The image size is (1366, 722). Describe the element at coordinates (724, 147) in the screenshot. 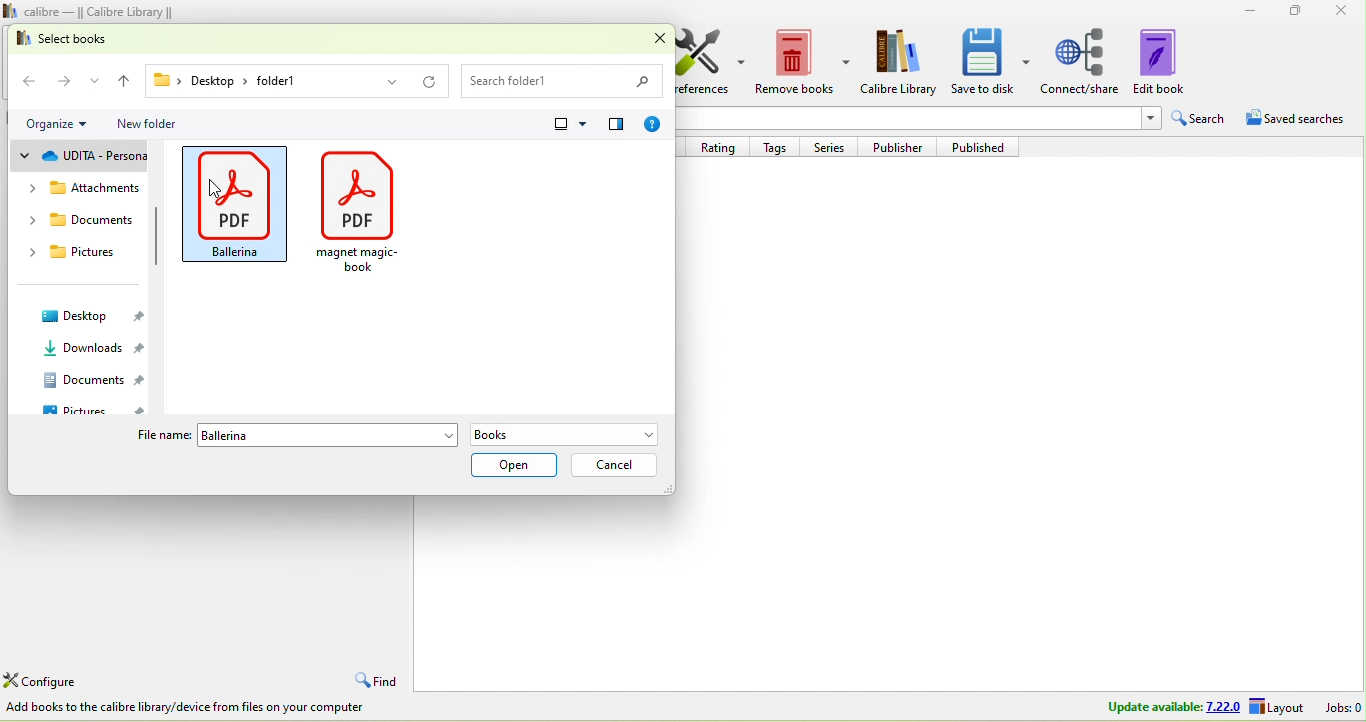

I see `rating` at that location.